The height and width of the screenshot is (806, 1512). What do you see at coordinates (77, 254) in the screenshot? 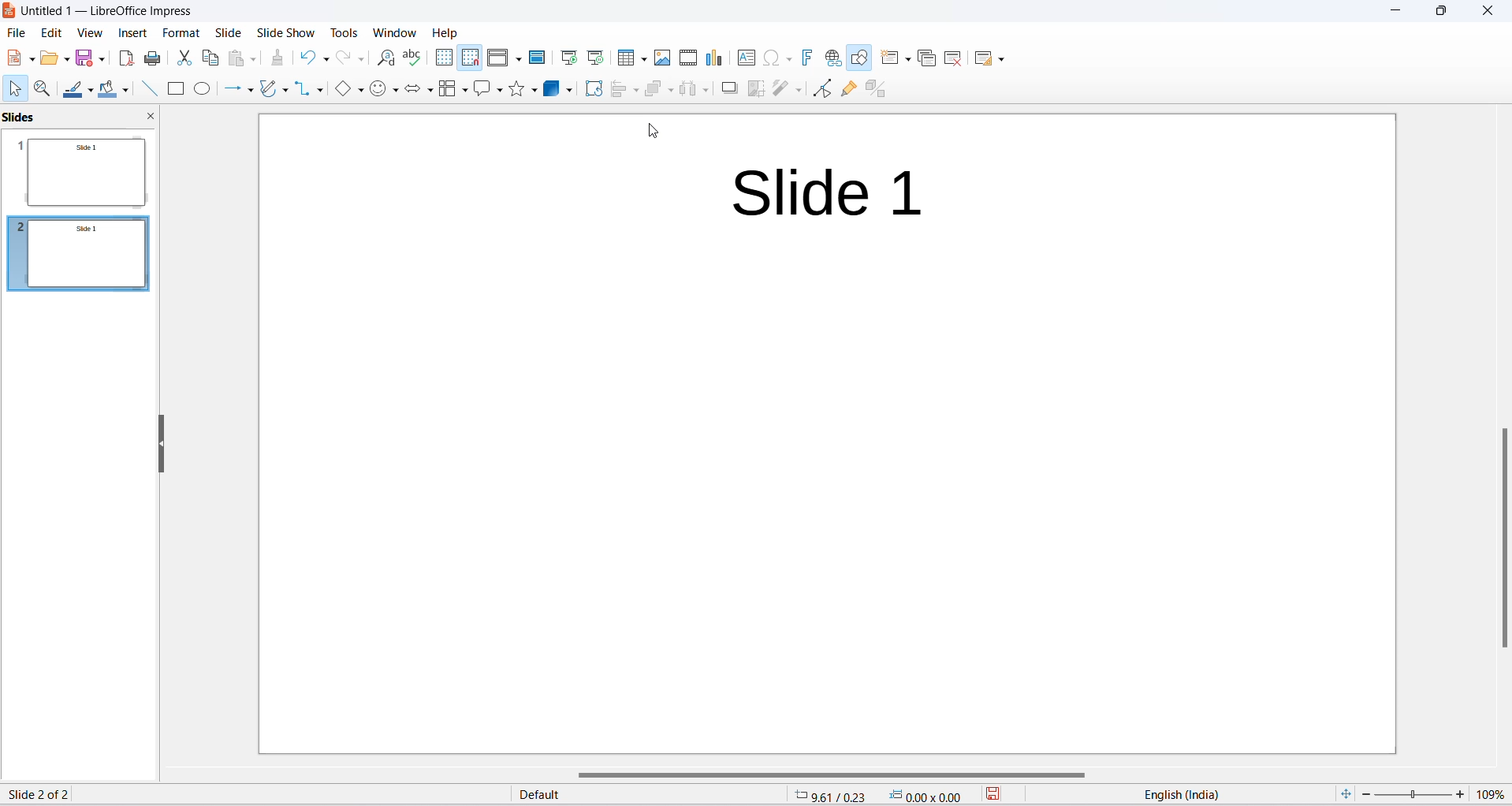
I see `slide 2` at bounding box center [77, 254].